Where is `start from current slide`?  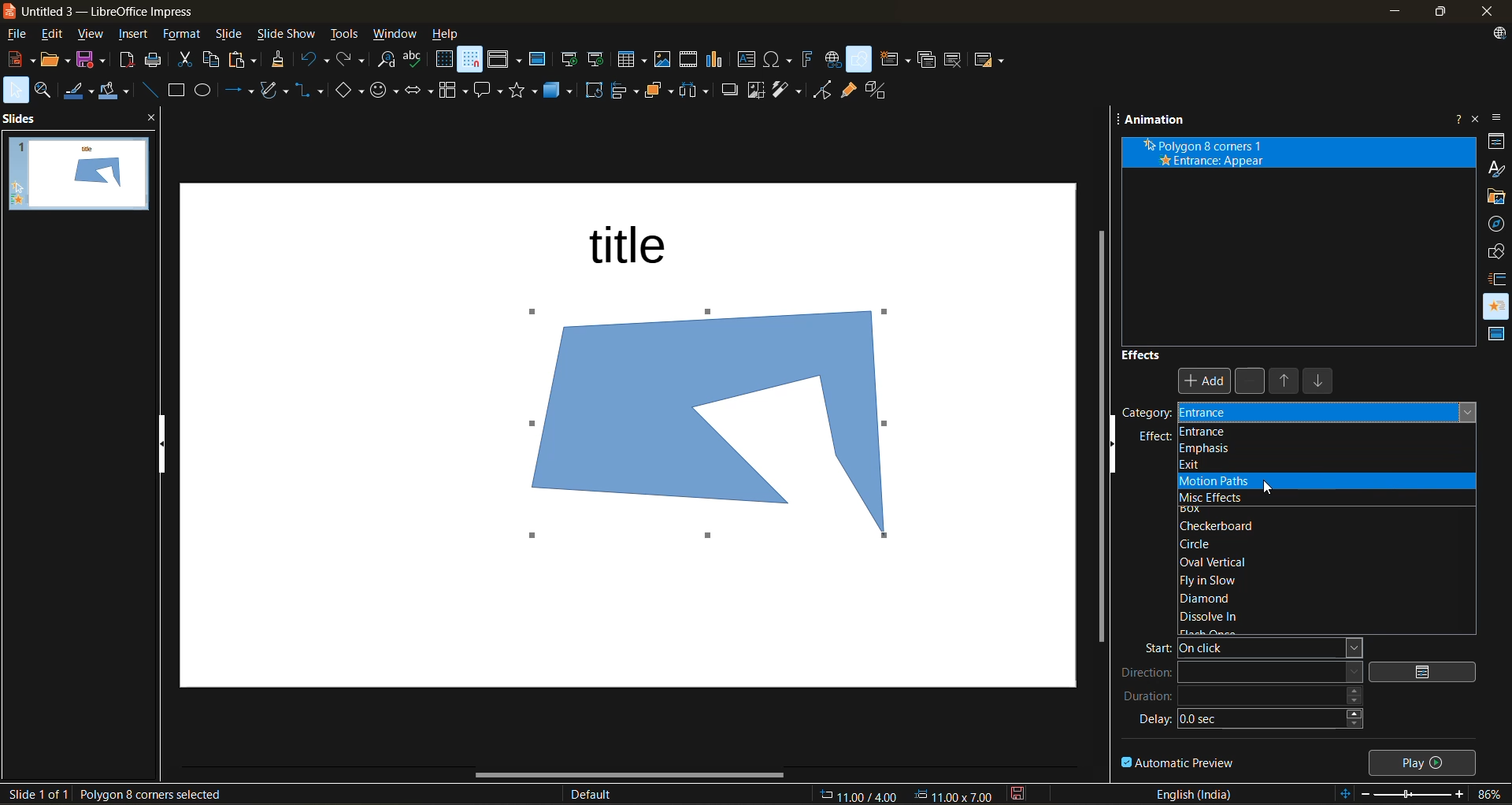 start from current slide is located at coordinates (598, 61).